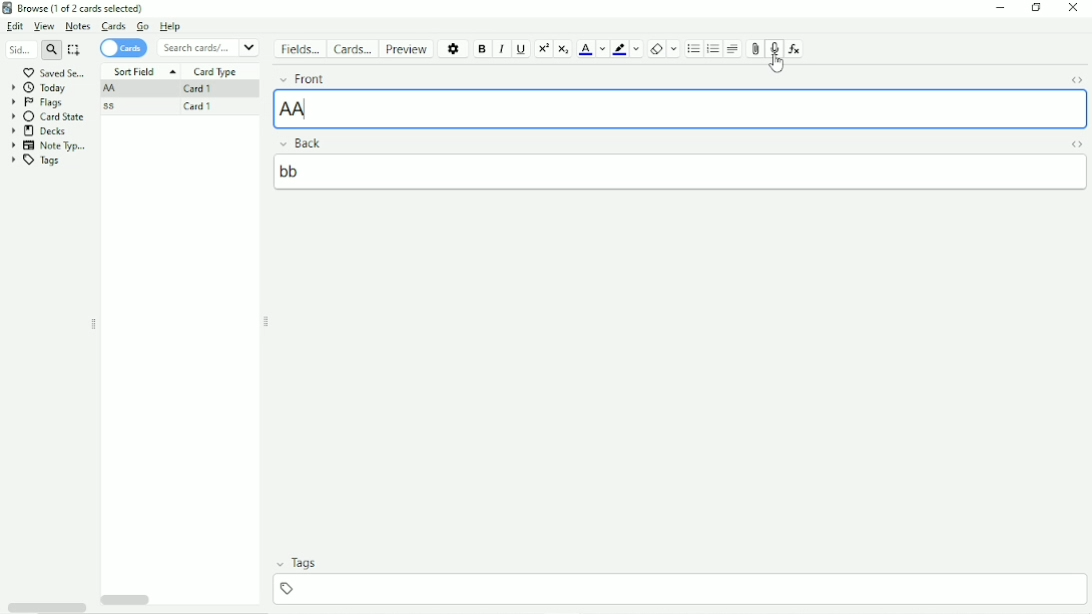  I want to click on Text Highlight color, so click(620, 49).